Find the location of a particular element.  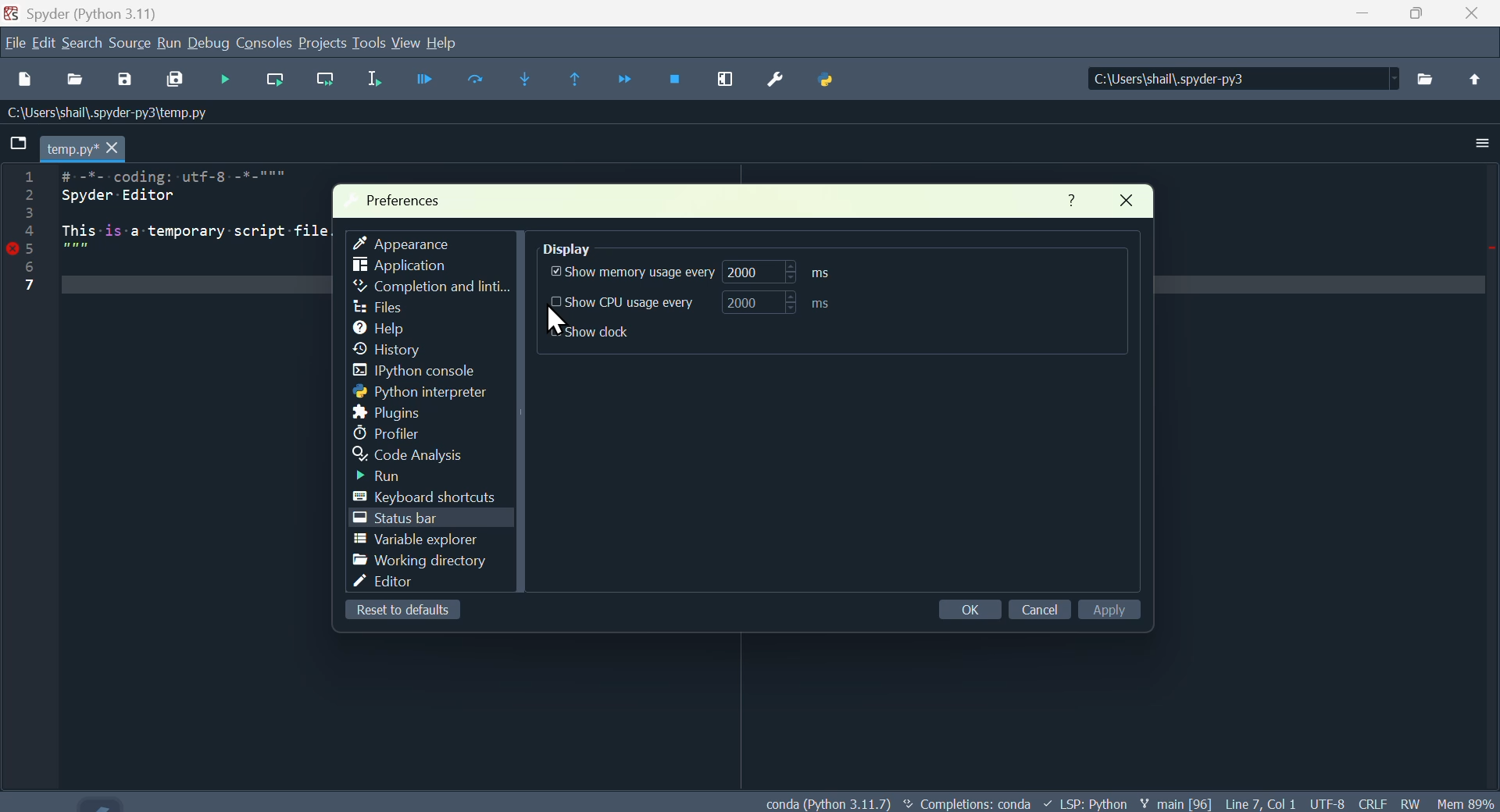

cursor is located at coordinates (559, 323).